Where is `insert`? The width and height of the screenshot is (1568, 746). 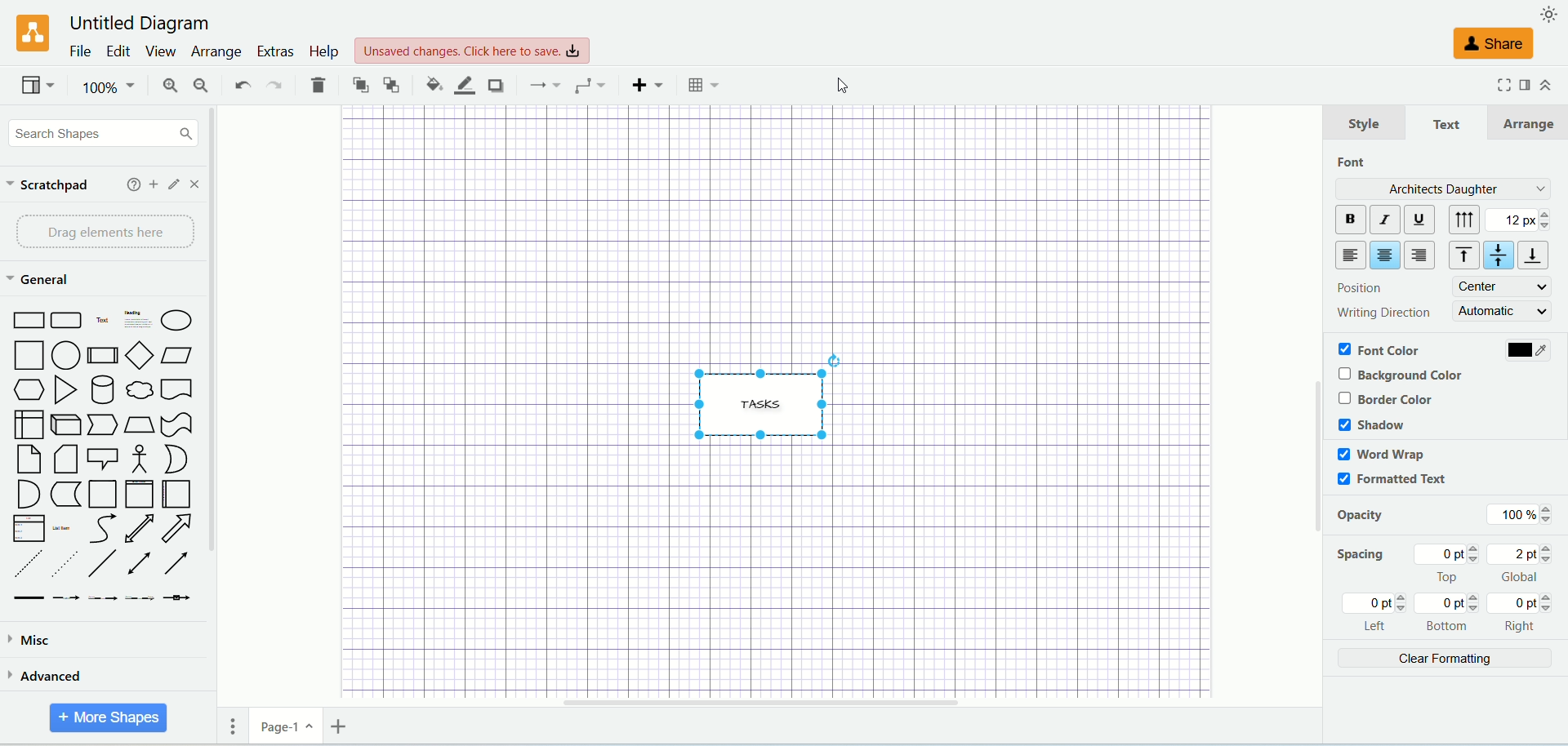 insert is located at coordinates (644, 85).